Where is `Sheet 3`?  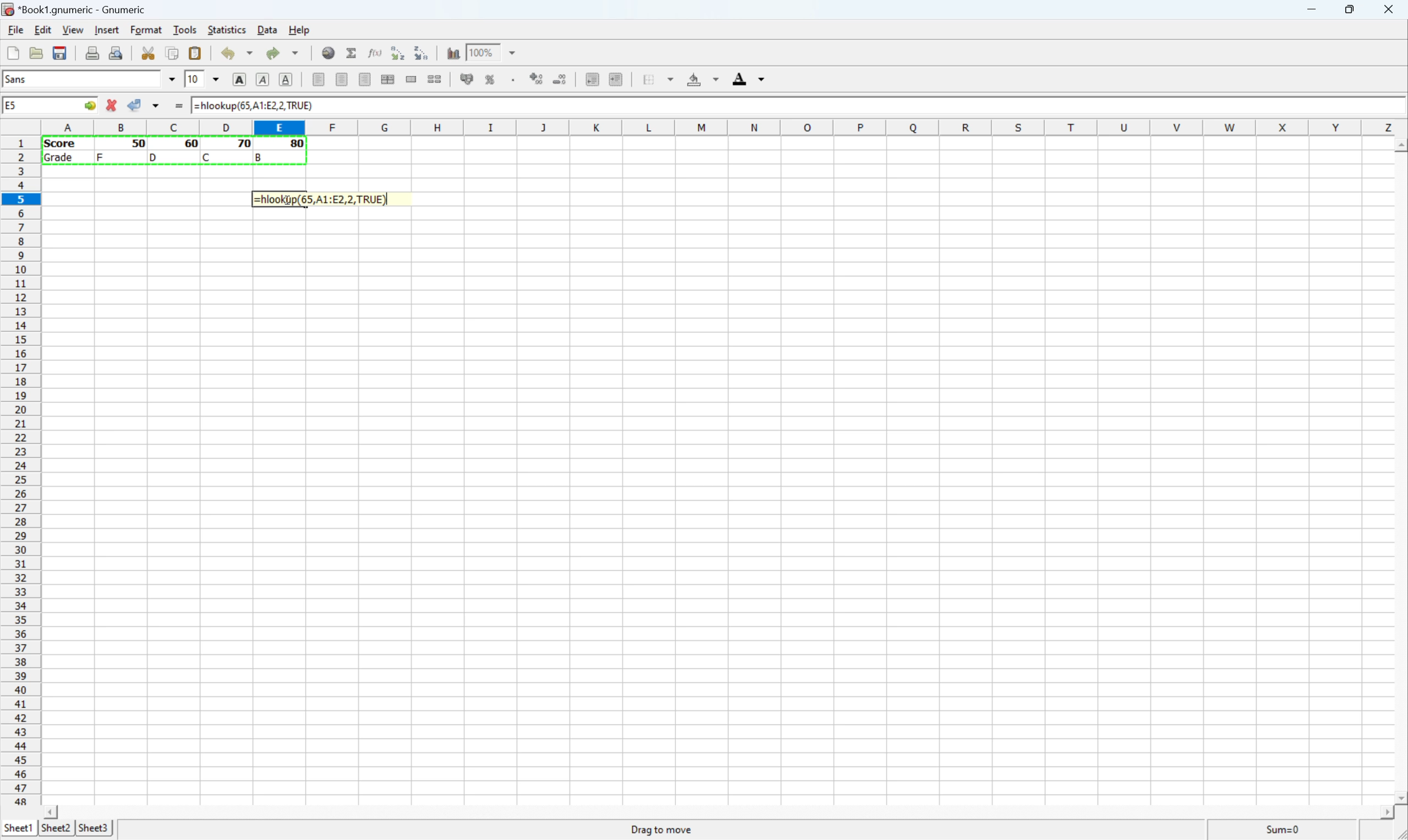
Sheet 3 is located at coordinates (95, 829).